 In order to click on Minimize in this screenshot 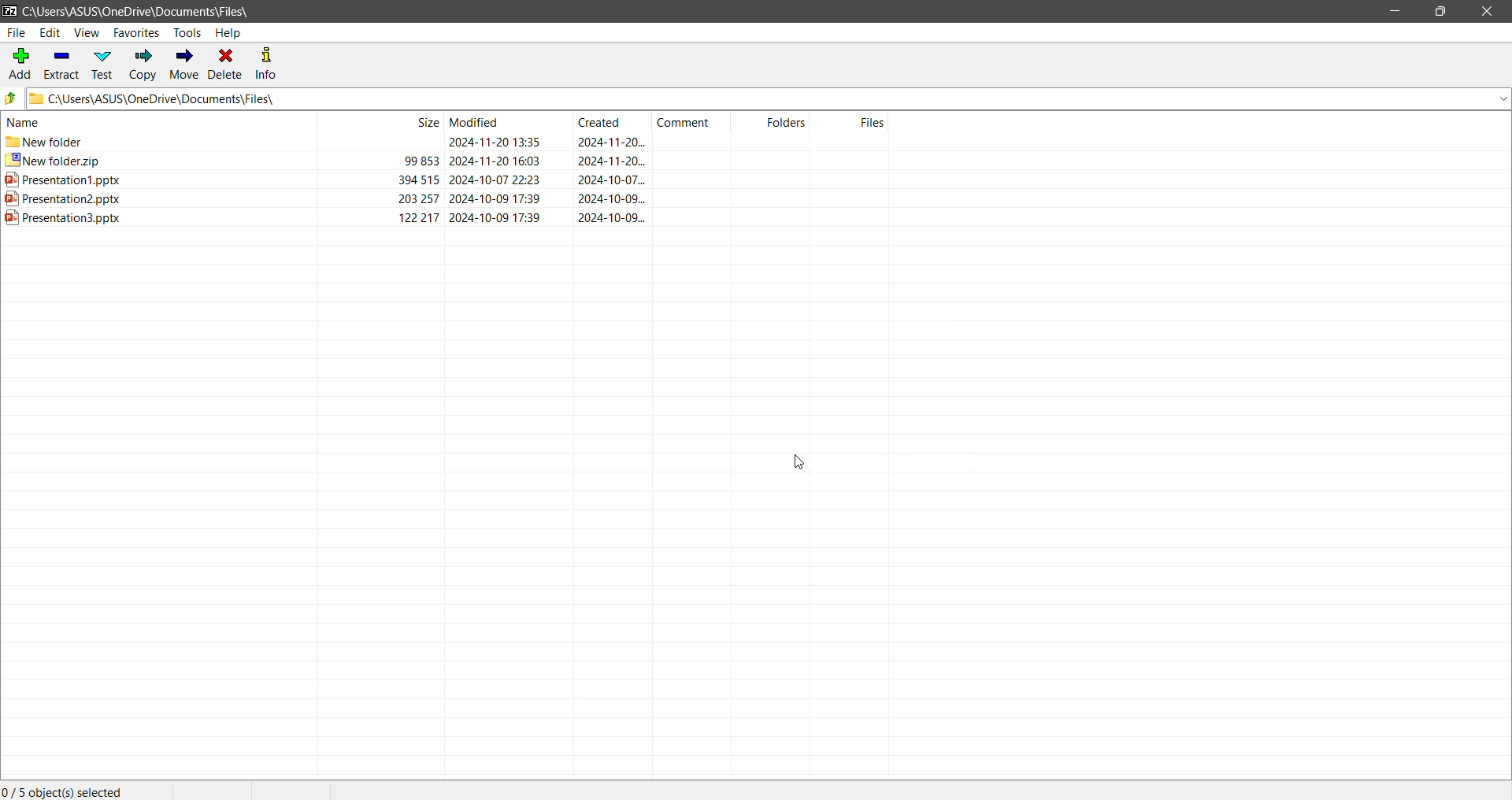, I will do `click(1394, 11)`.